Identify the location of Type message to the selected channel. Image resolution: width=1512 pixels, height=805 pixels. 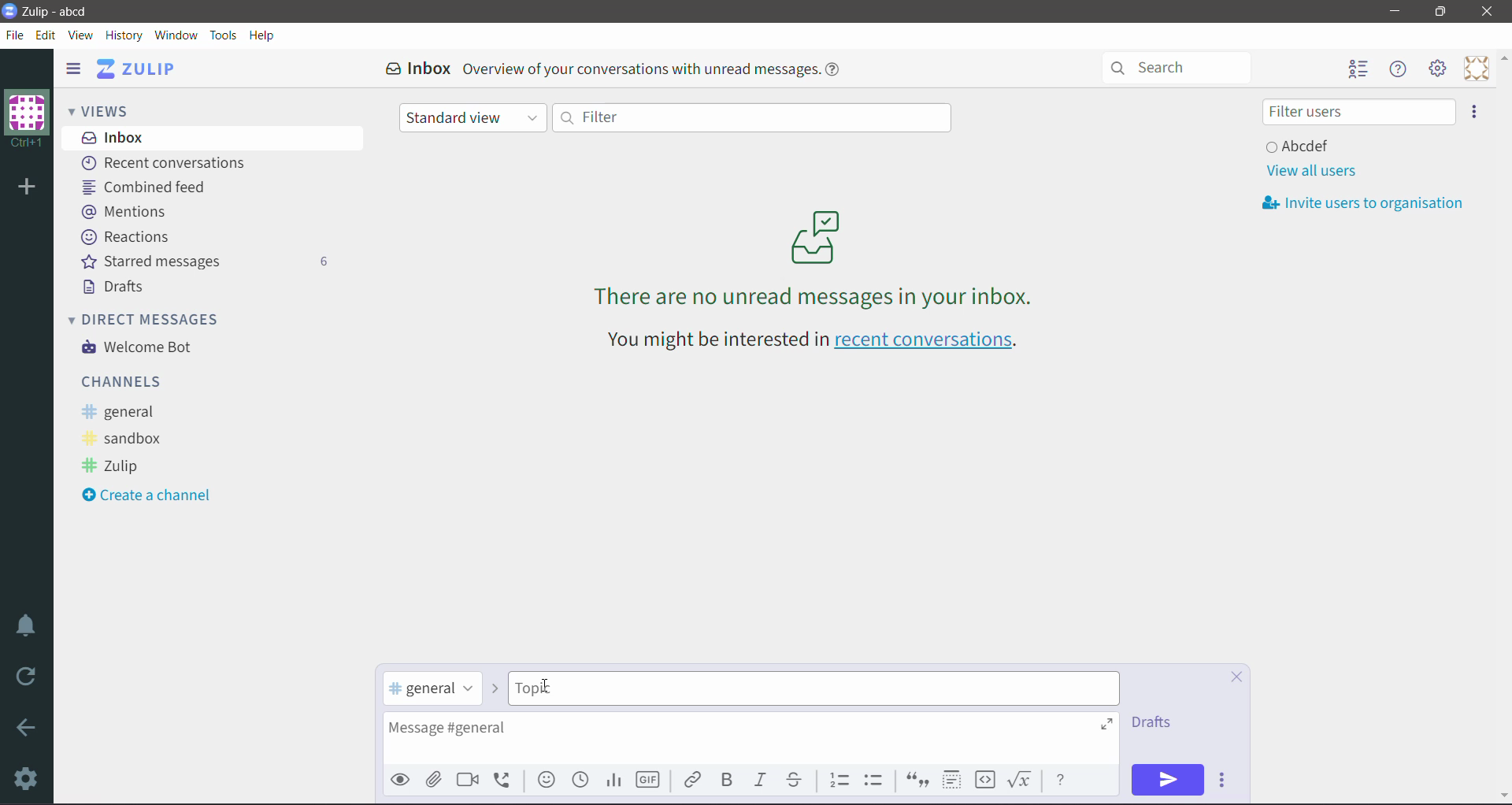
(750, 739).